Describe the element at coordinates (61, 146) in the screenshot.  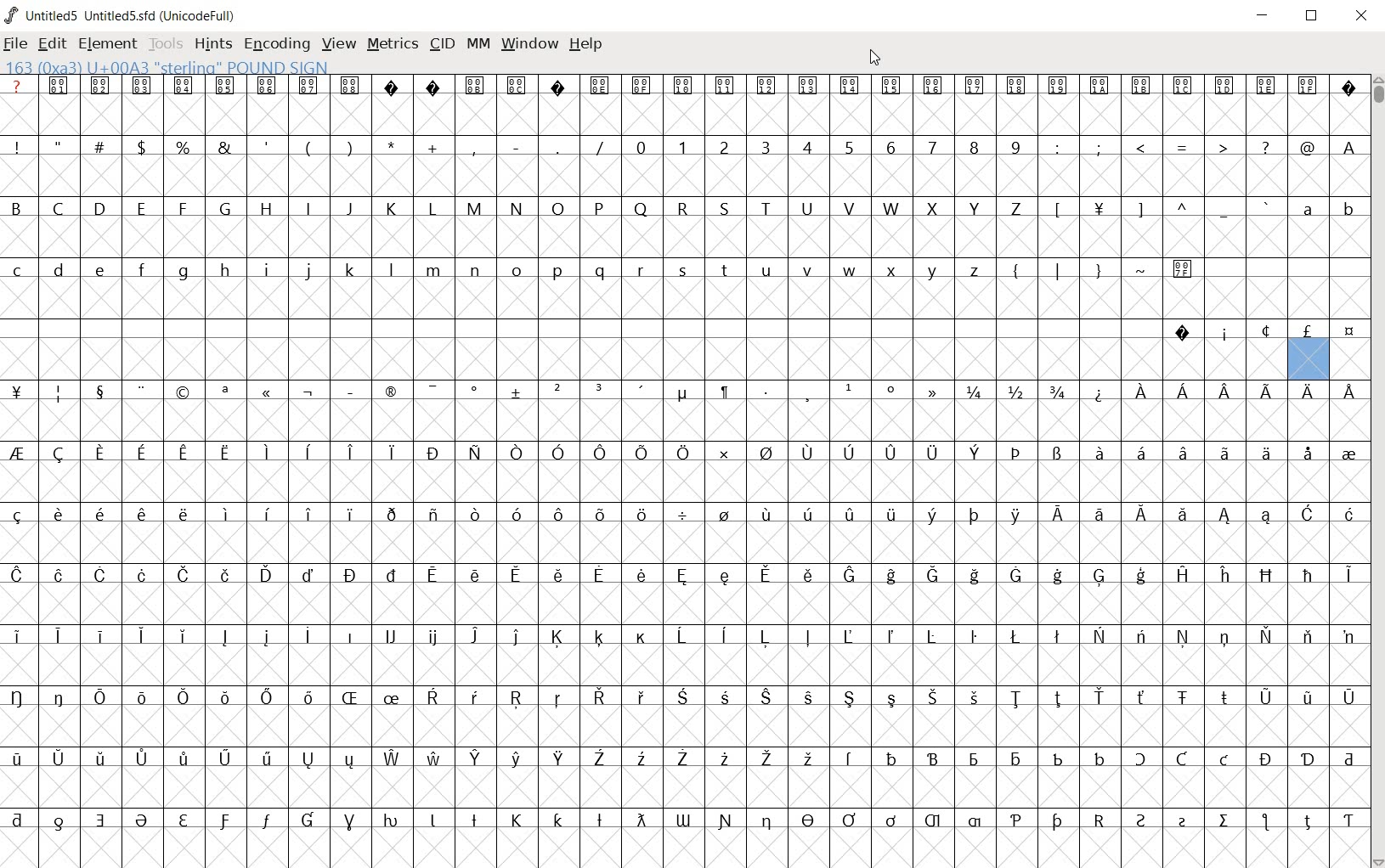
I see `"` at that location.